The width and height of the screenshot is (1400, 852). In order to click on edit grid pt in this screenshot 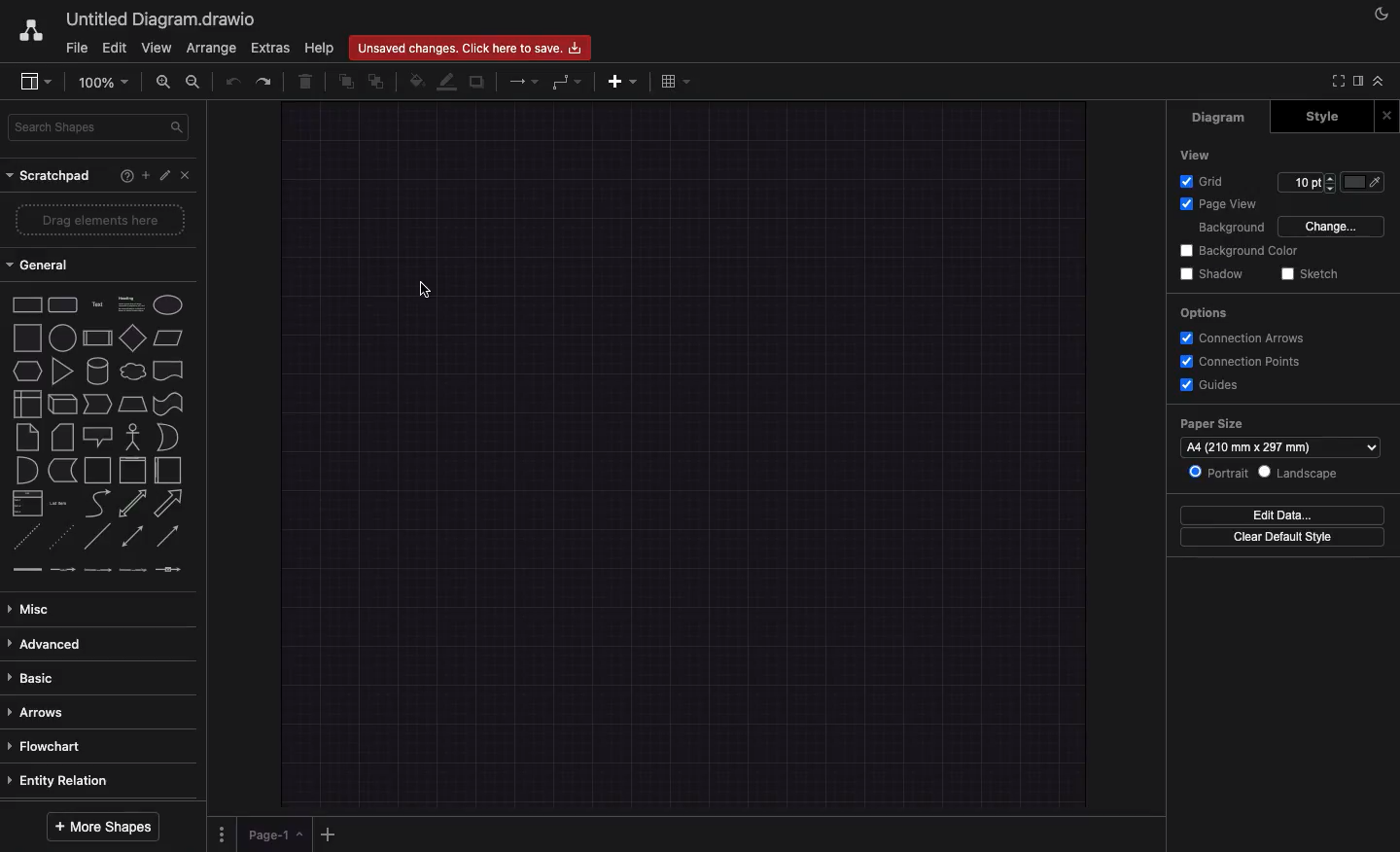, I will do `click(1300, 183)`.